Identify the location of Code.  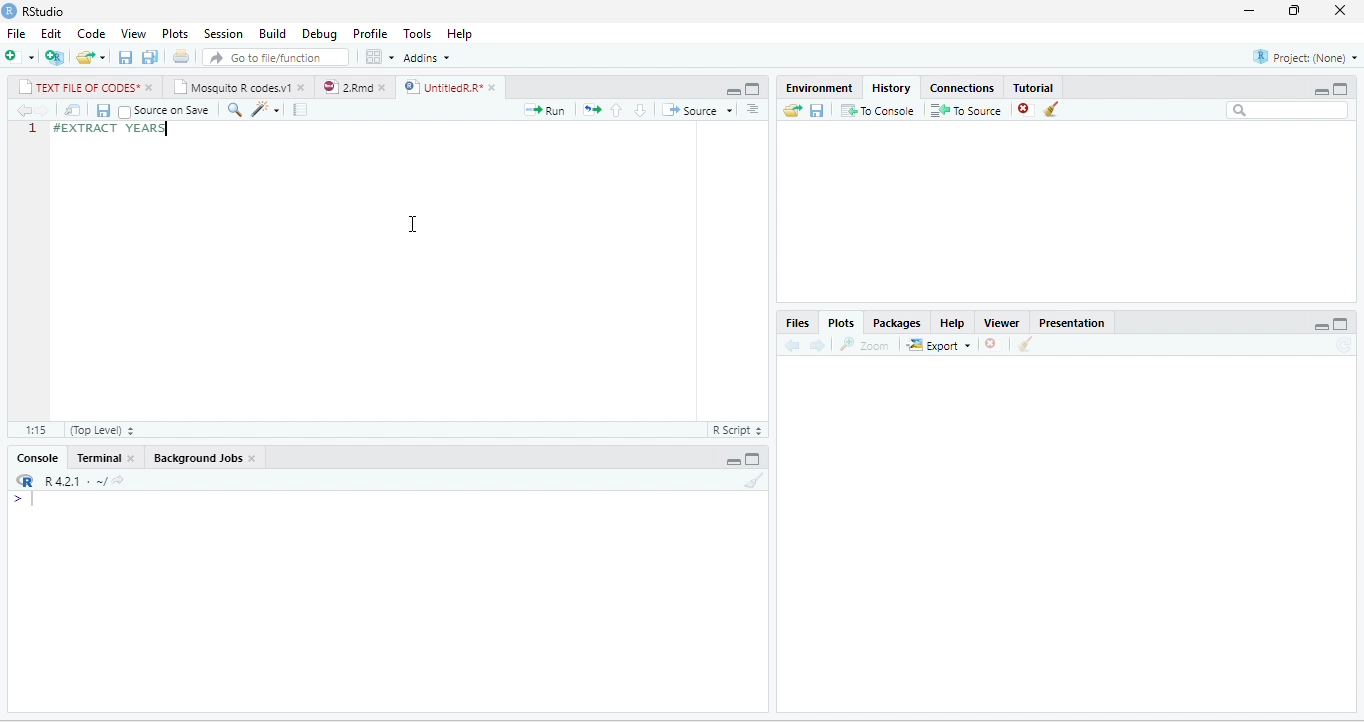
(92, 34).